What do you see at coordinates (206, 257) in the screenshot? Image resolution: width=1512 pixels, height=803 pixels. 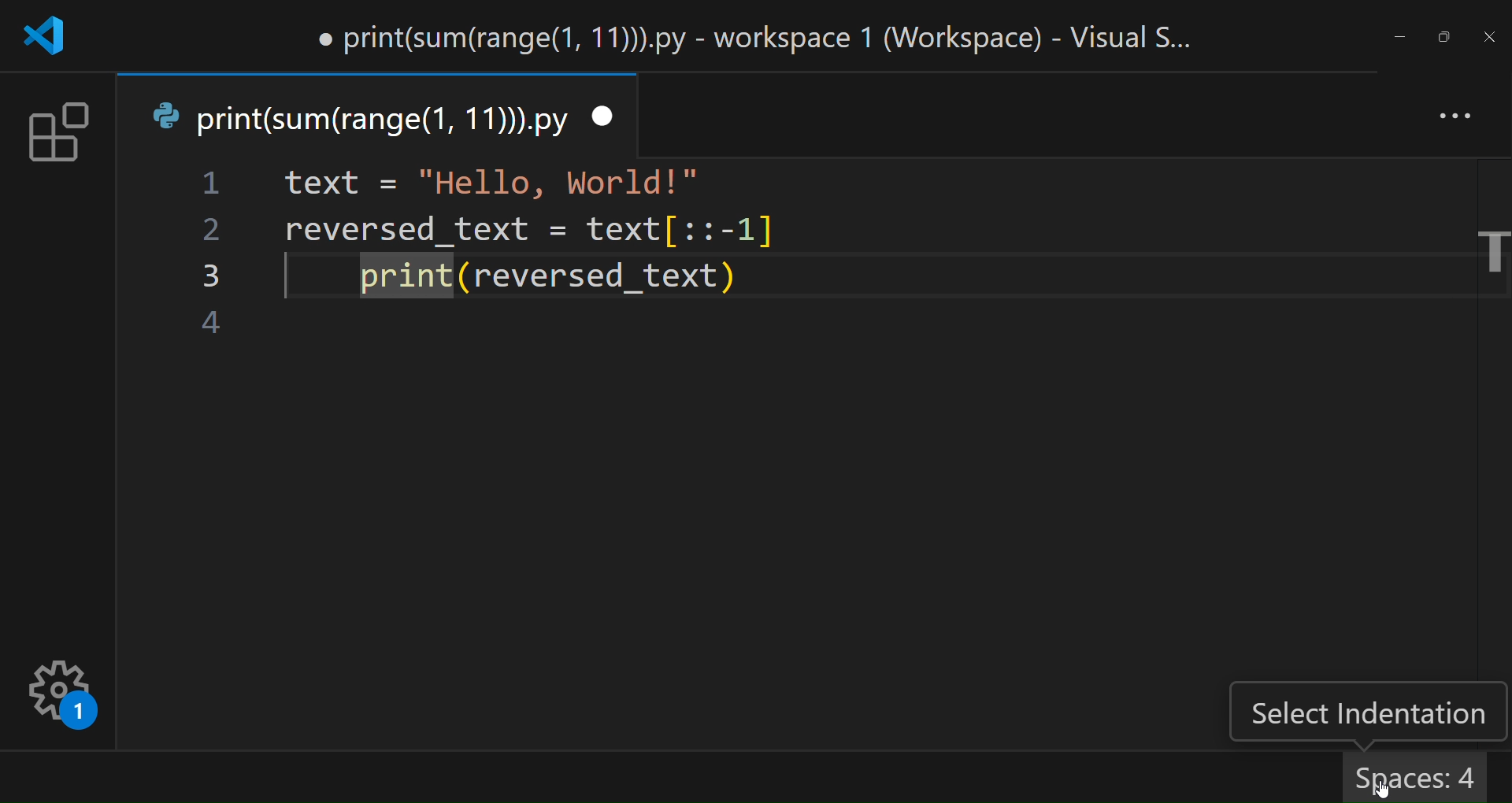 I see `line number` at bounding box center [206, 257].